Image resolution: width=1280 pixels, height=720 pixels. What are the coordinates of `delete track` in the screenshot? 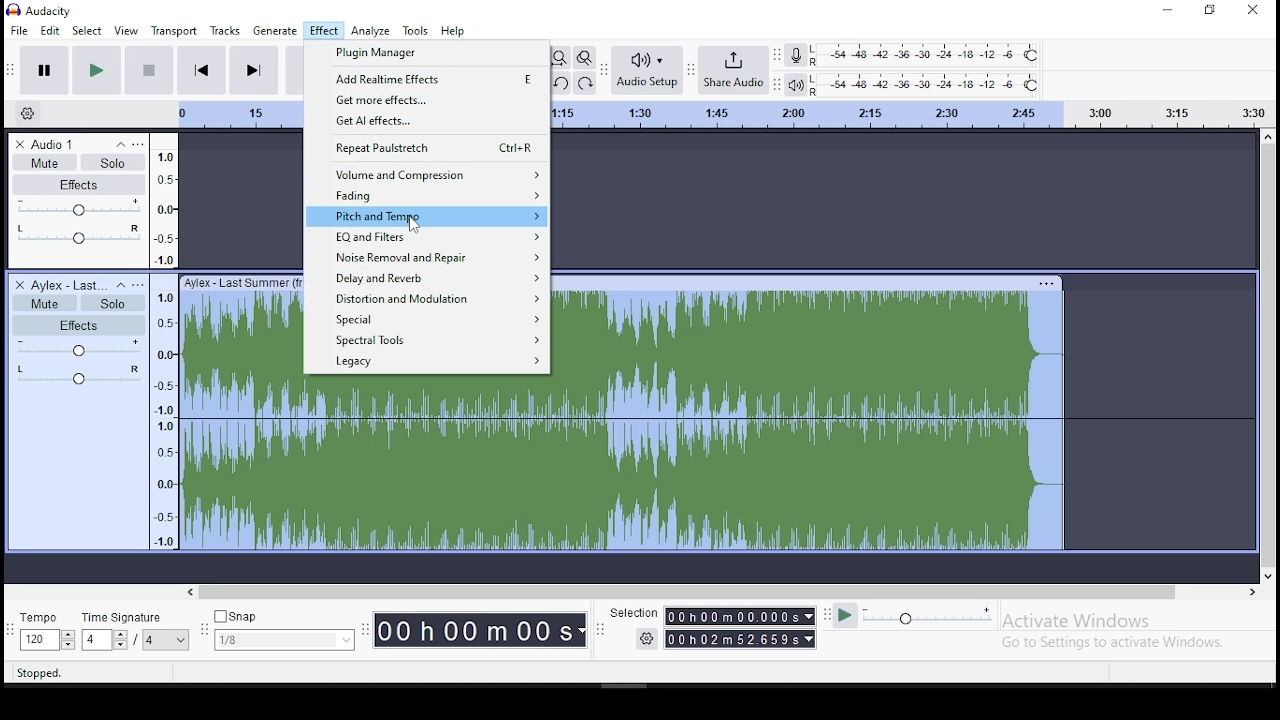 It's located at (19, 142).